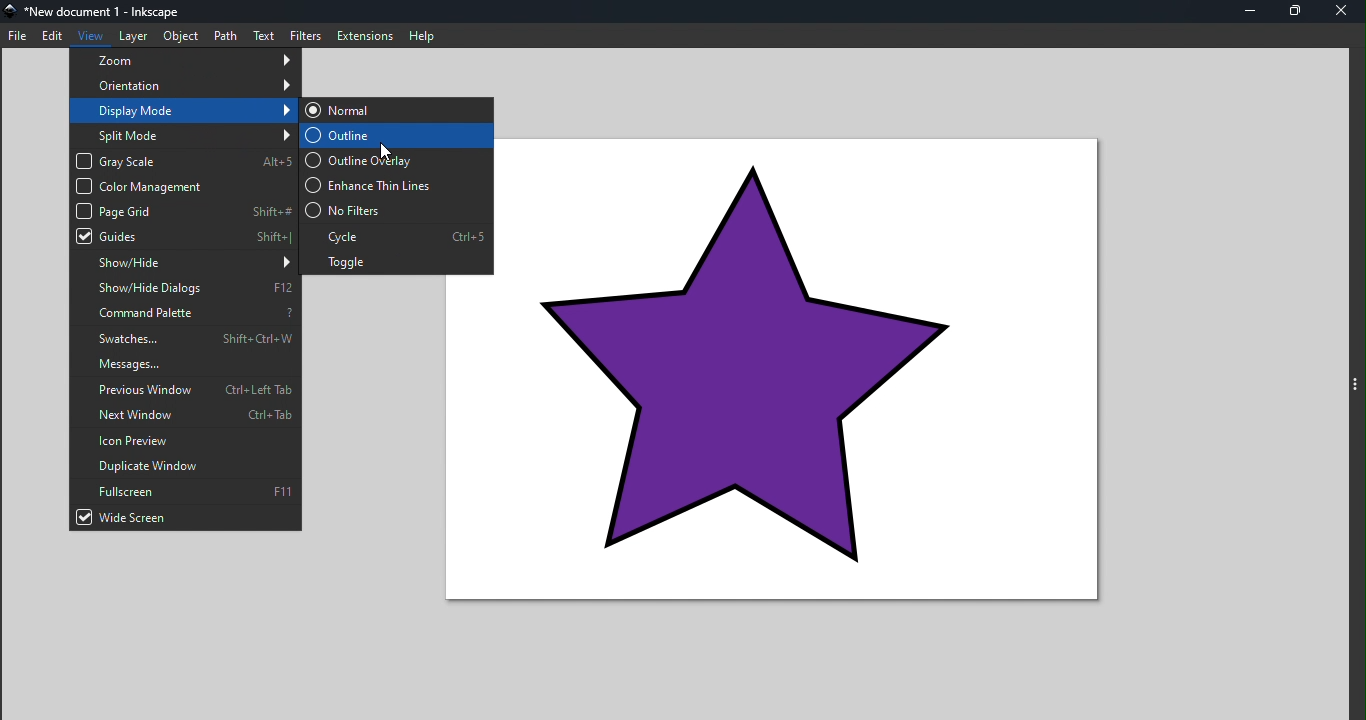 The width and height of the screenshot is (1366, 720). Describe the element at coordinates (182, 161) in the screenshot. I see `Gray scale` at that location.